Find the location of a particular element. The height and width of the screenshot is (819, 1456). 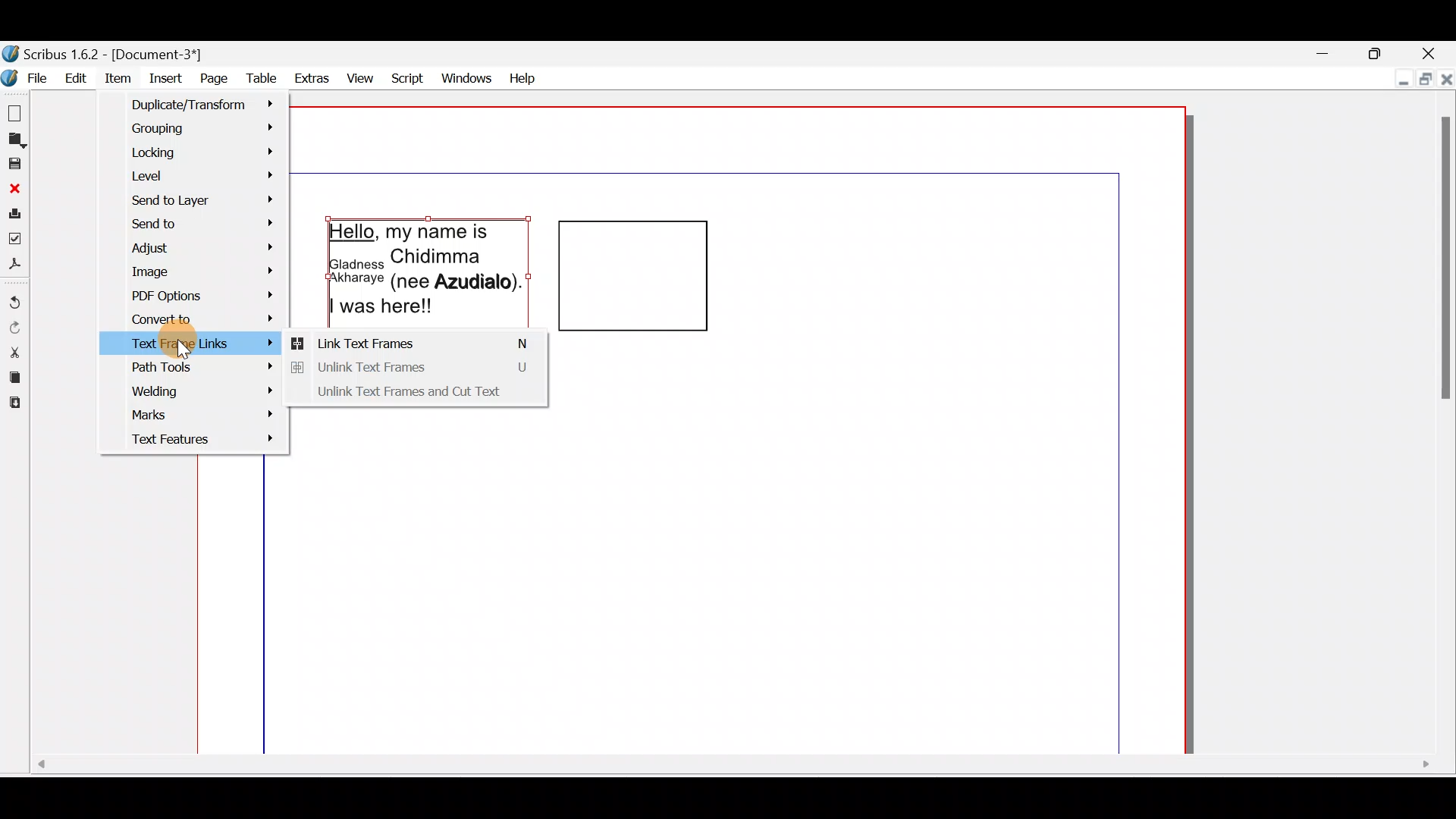

Locking is located at coordinates (203, 155).